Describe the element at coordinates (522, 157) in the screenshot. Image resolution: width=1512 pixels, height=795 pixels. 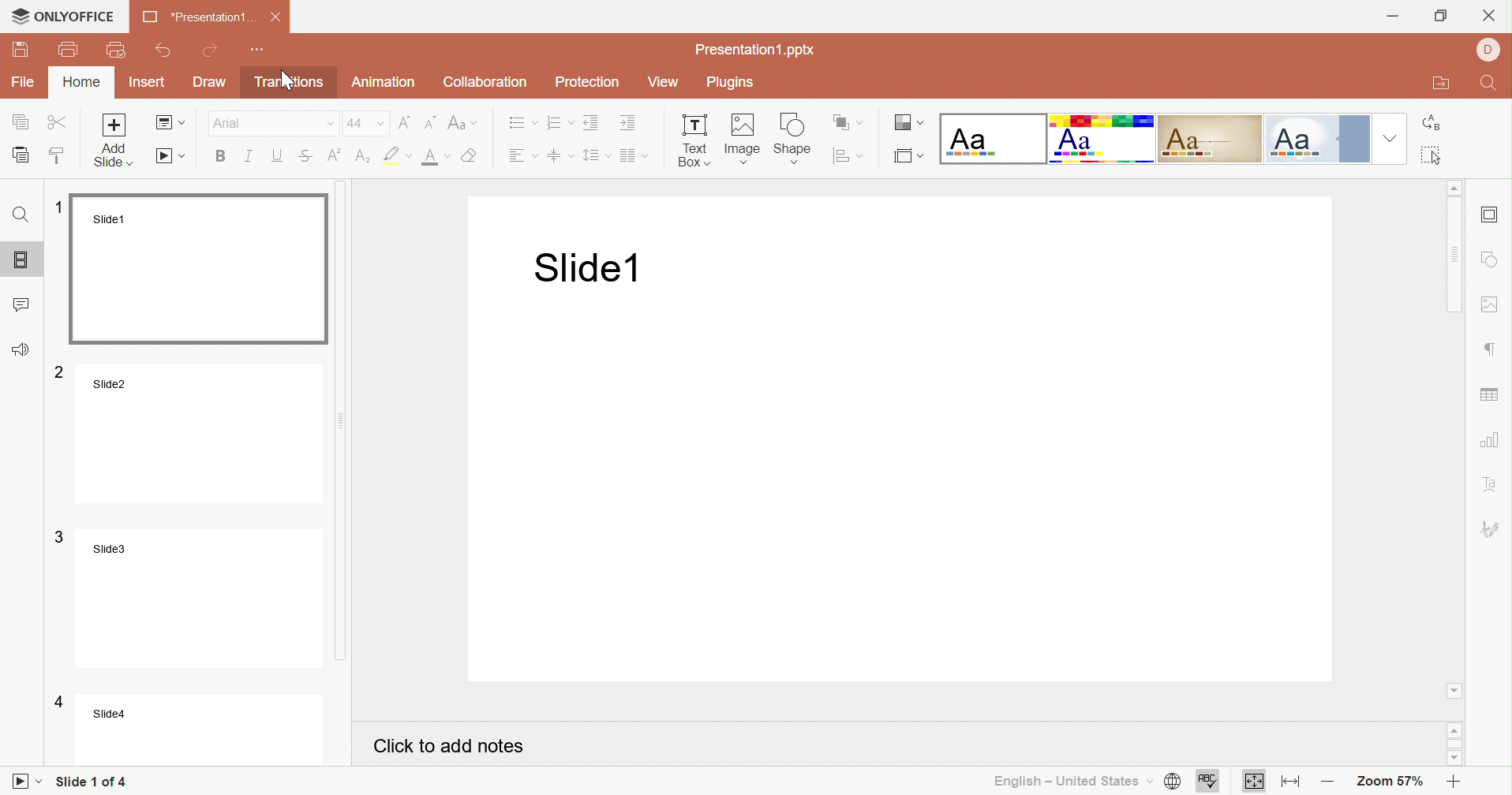
I see `Horizontal align` at that location.